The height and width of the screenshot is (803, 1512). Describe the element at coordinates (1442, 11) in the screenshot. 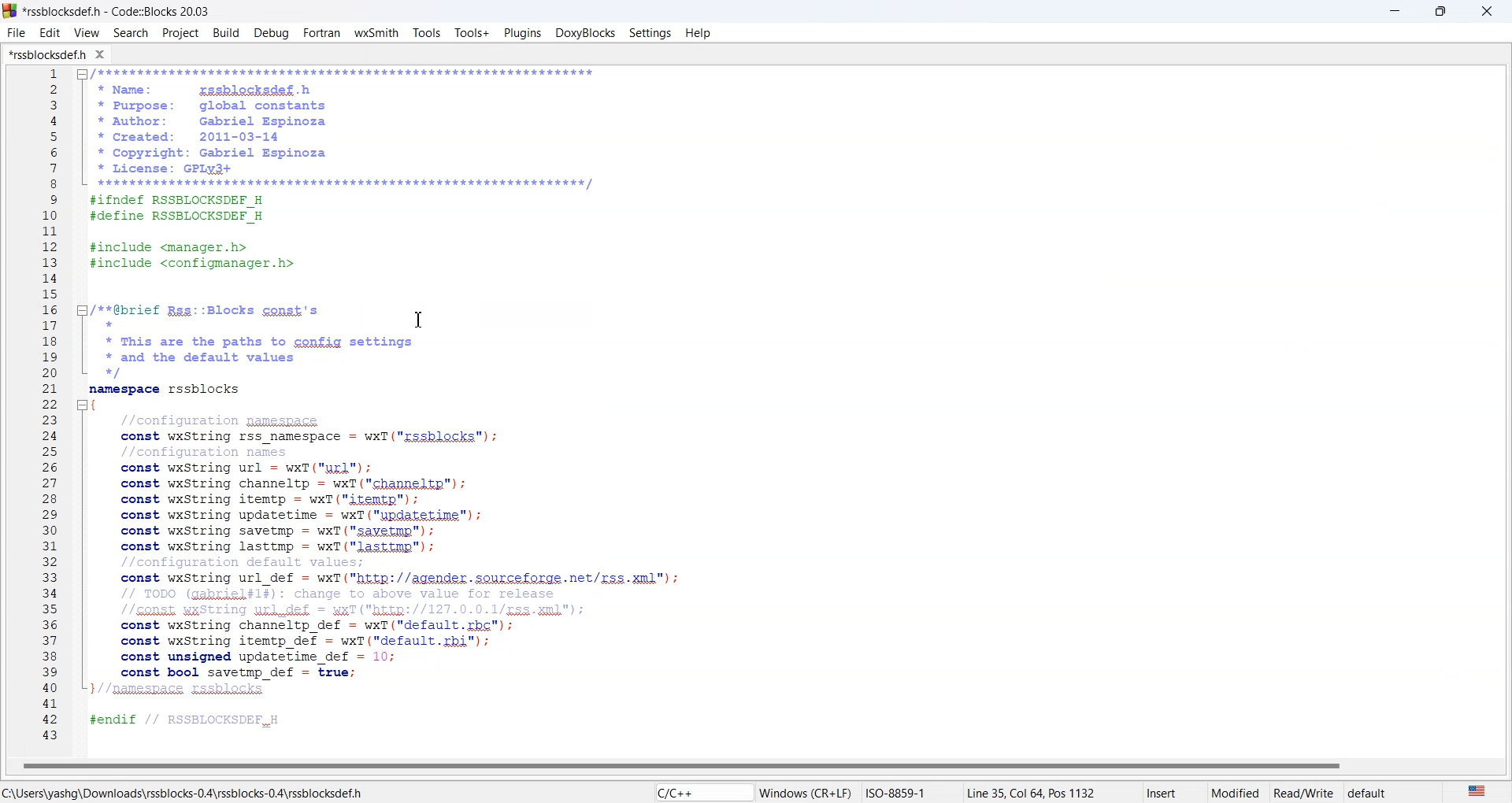

I see `Maximize` at that location.